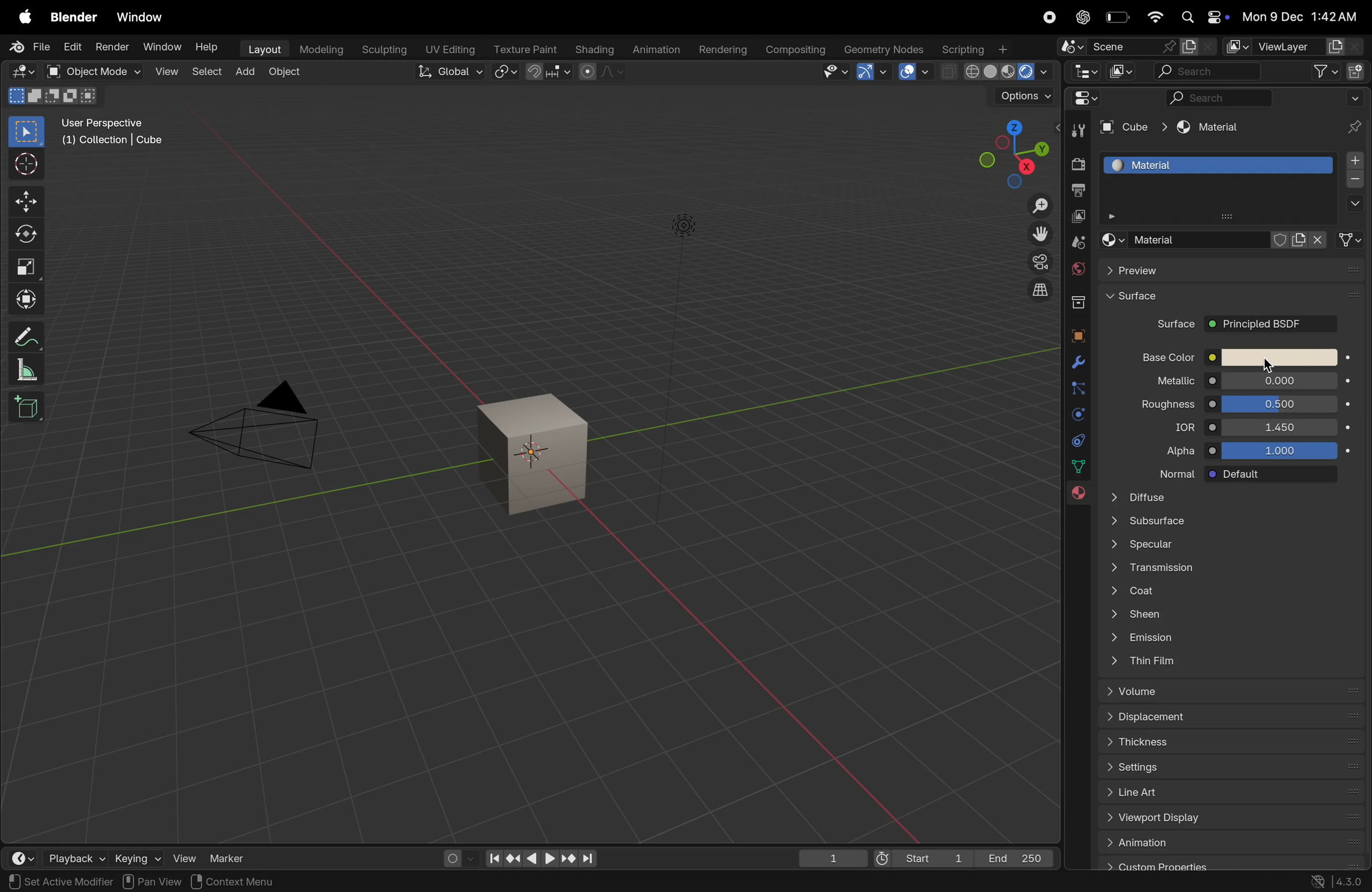 The height and width of the screenshot is (892, 1372). Describe the element at coordinates (112, 46) in the screenshot. I see `render` at that location.